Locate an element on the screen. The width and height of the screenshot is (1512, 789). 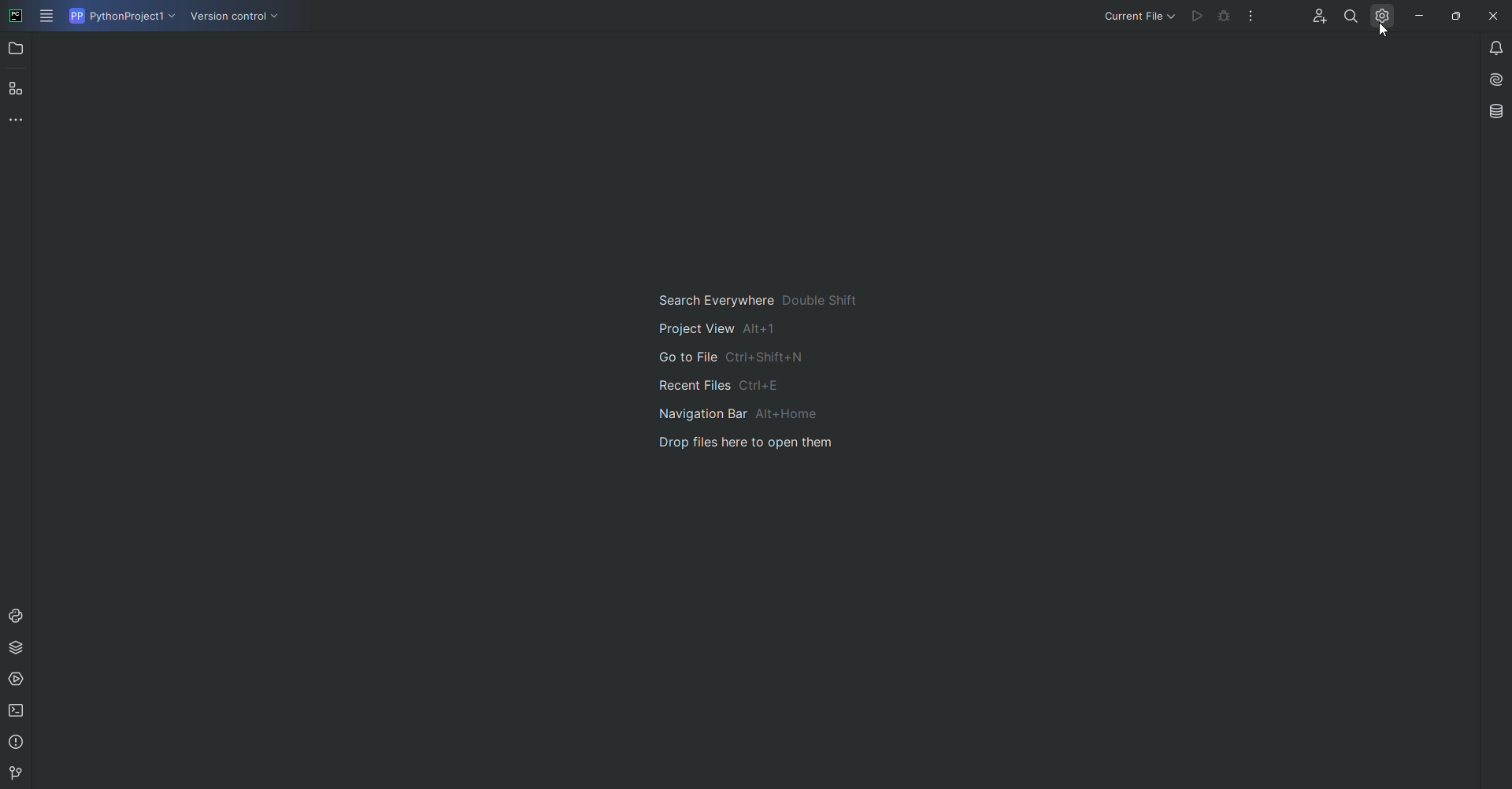
Notifications is located at coordinates (1487, 47).